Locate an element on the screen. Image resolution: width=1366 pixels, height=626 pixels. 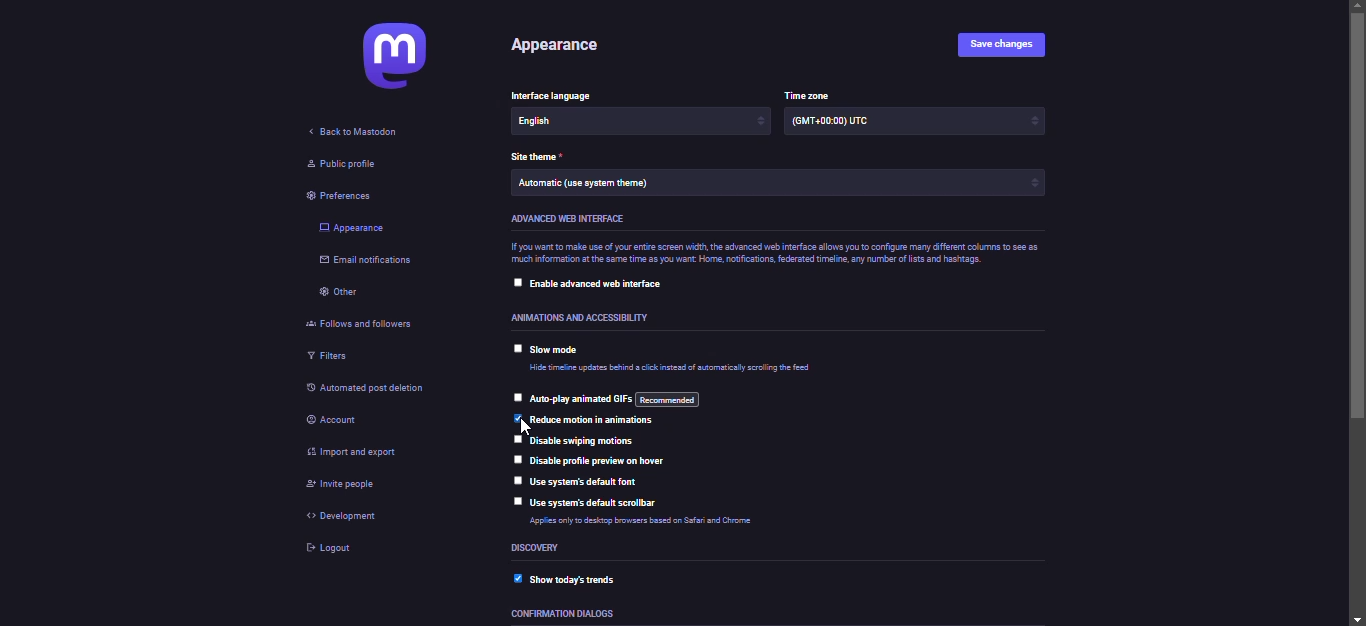
scroll bar is located at coordinates (1358, 313).